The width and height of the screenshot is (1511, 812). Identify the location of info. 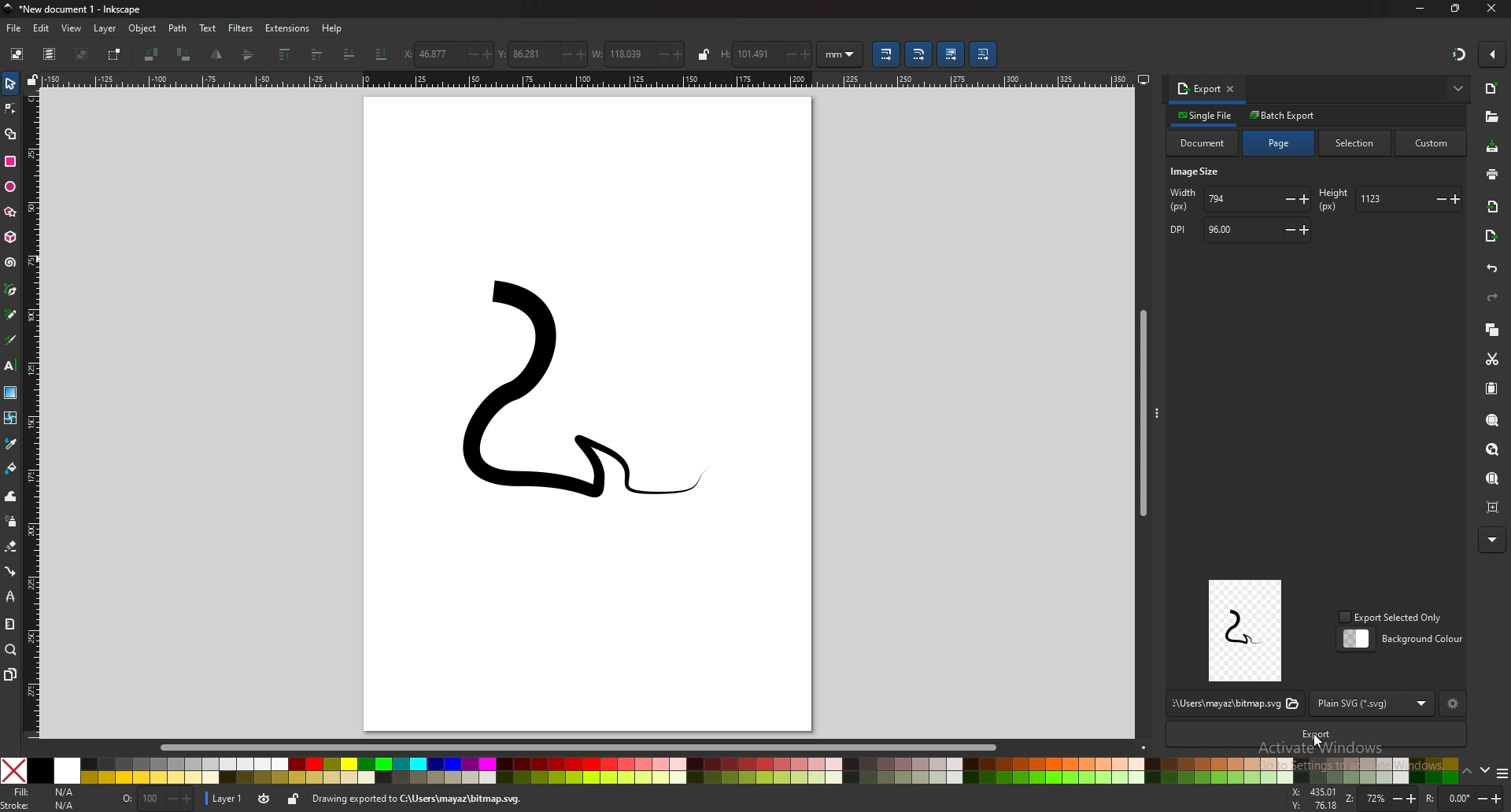
(535, 799).